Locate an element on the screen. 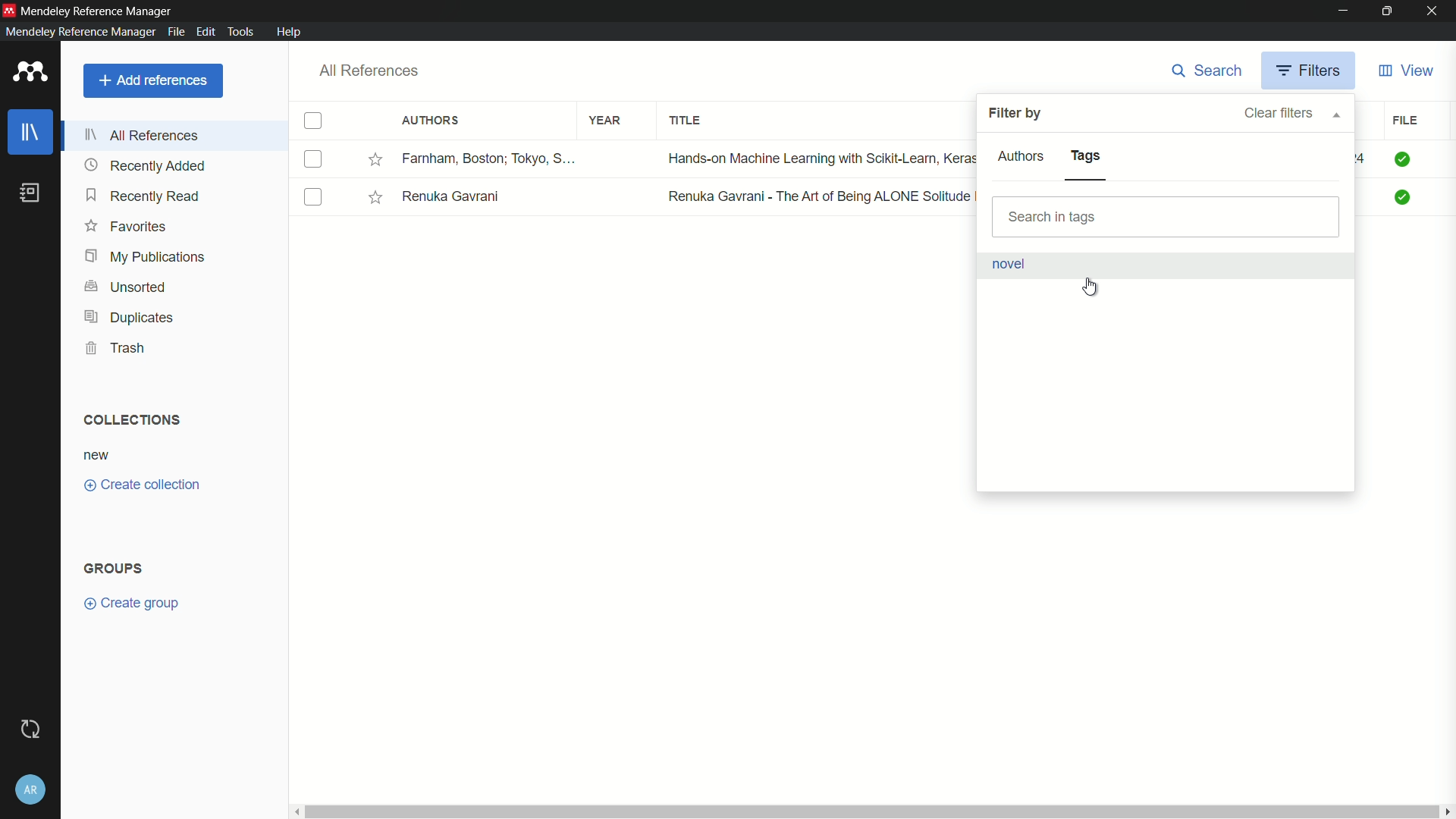  tools menu is located at coordinates (240, 33).